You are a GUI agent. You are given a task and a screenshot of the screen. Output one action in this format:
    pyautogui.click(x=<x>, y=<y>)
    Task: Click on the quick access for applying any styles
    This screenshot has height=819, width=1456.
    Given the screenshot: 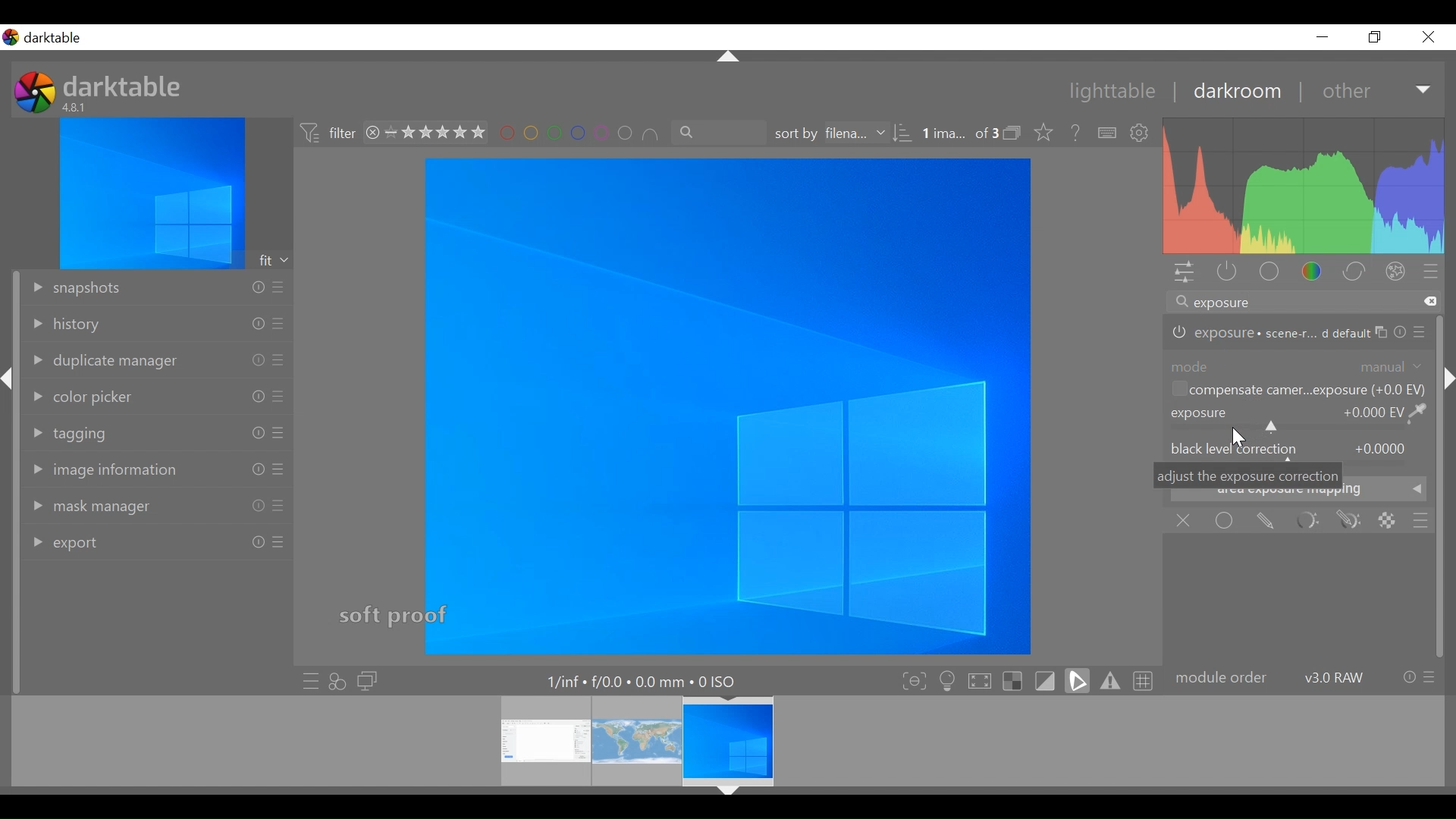 What is the action you would take?
    pyautogui.click(x=337, y=681)
    